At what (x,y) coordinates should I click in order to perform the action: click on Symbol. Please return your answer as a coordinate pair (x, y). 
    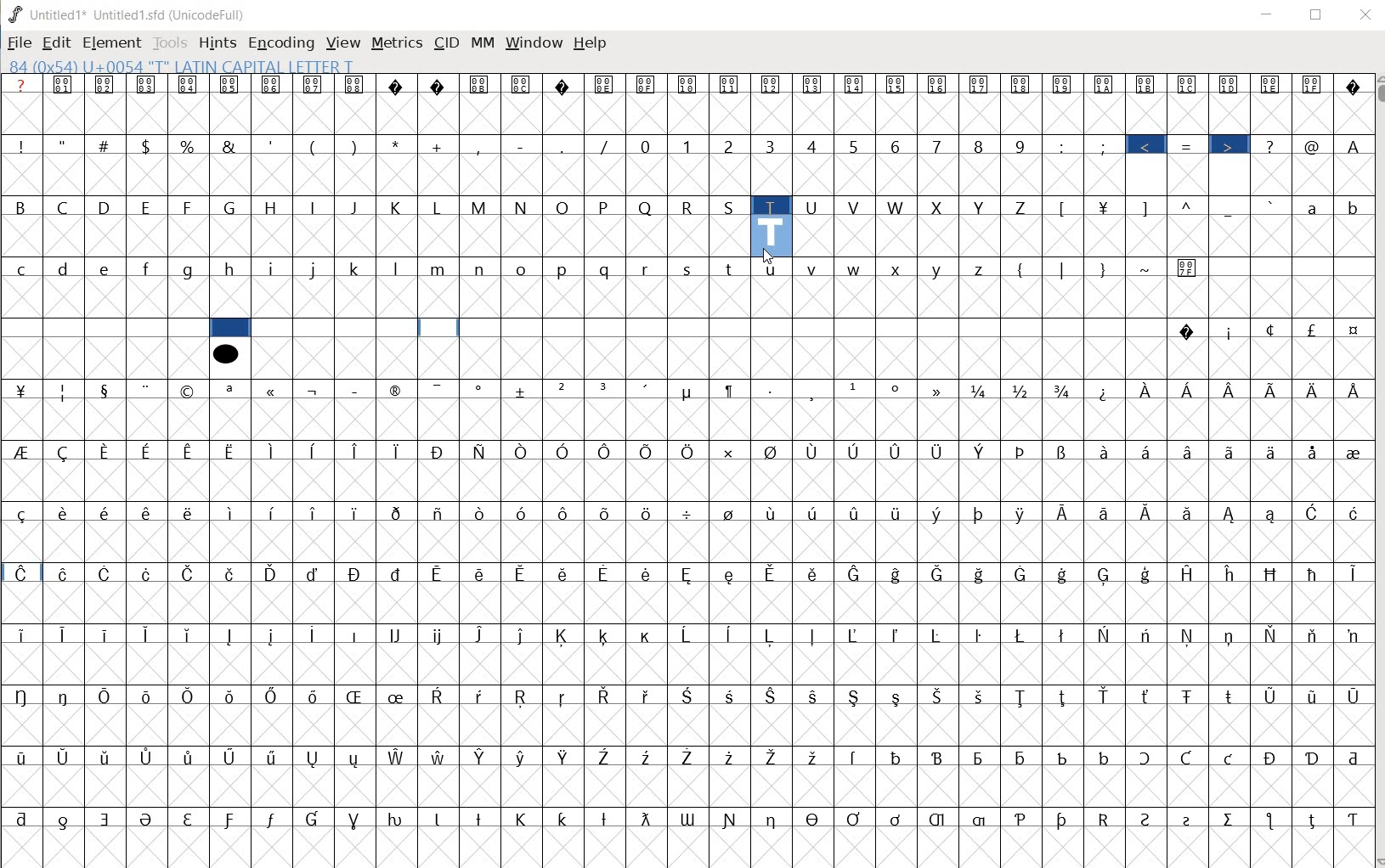
    Looking at the image, I should click on (688, 84).